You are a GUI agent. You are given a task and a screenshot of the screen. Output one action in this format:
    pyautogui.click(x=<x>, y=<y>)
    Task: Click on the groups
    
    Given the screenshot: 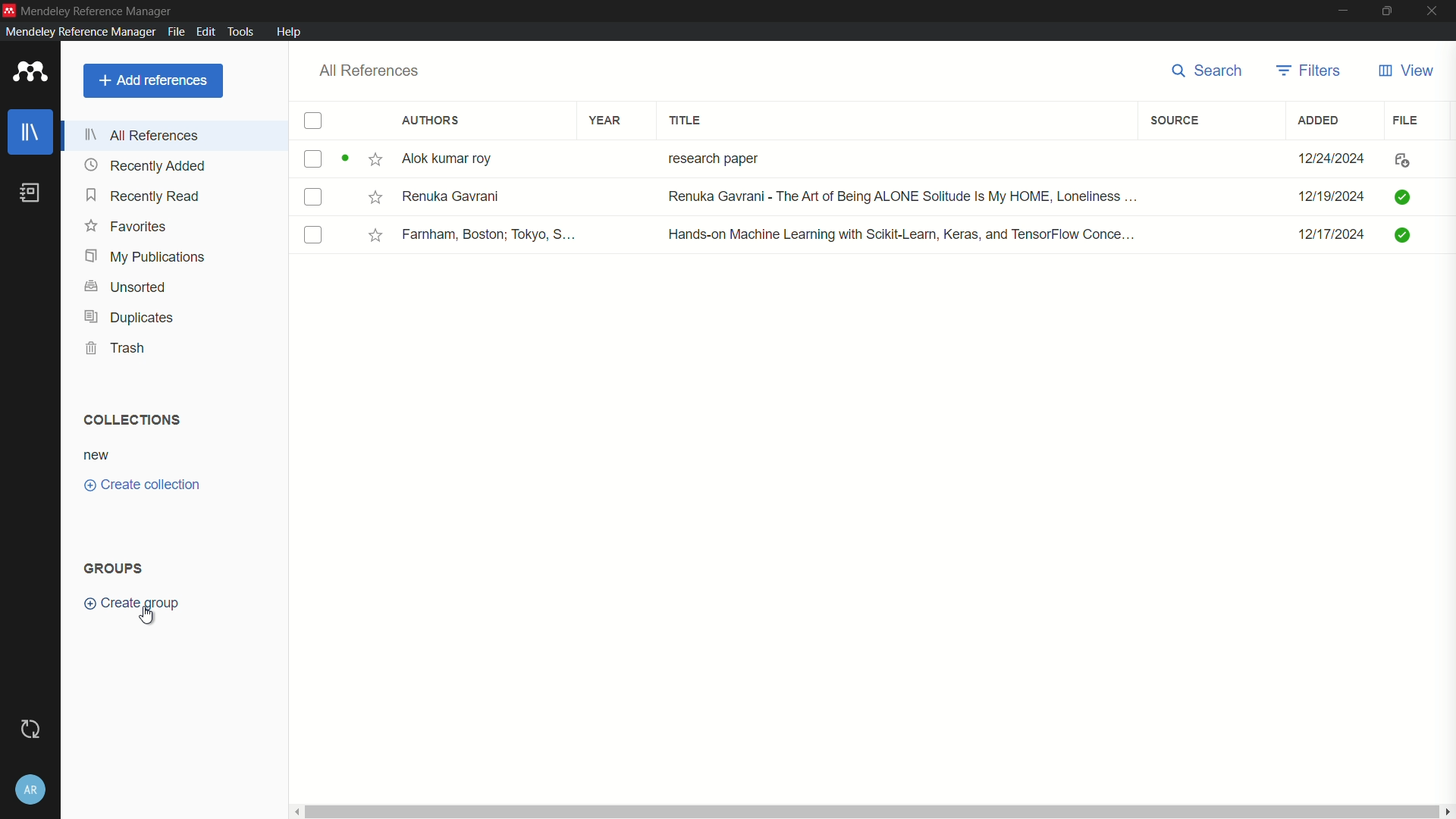 What is the action you would take?
    pyautogui.click(x=115, y=569)
    